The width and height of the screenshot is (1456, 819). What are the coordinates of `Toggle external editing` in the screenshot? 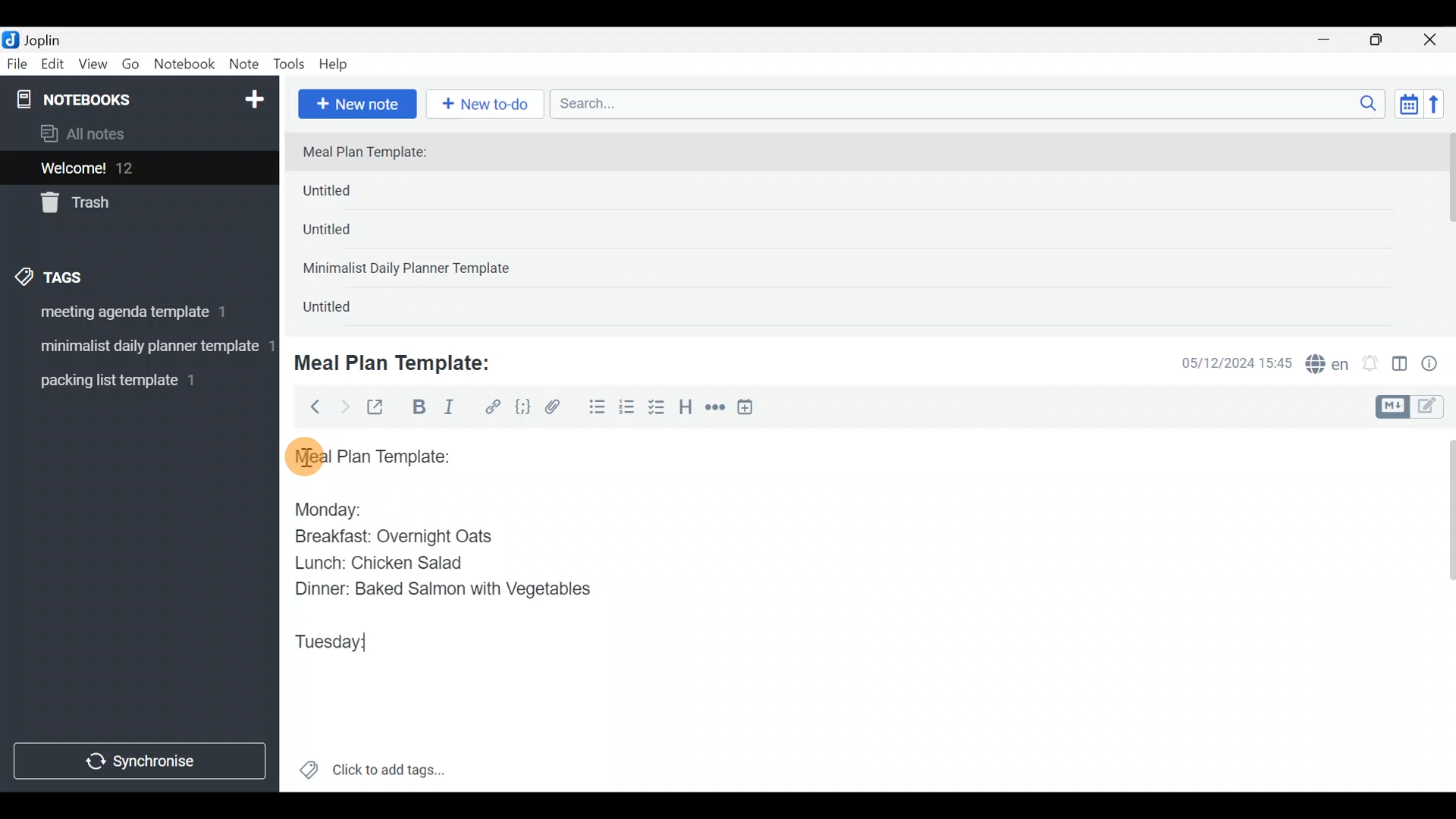 It's located at (381, 408).